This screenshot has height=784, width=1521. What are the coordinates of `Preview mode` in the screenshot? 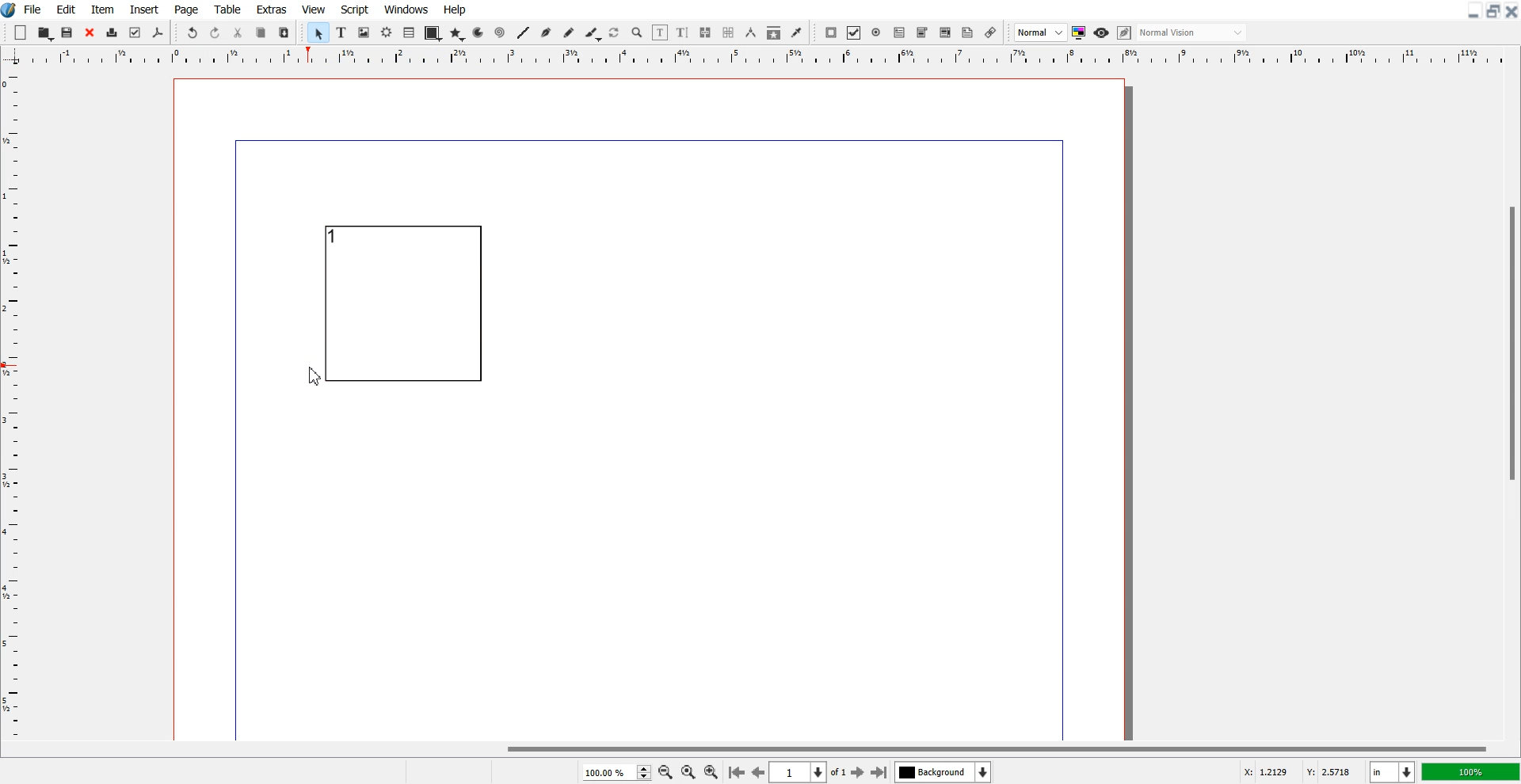 It's located at (1102, 32).